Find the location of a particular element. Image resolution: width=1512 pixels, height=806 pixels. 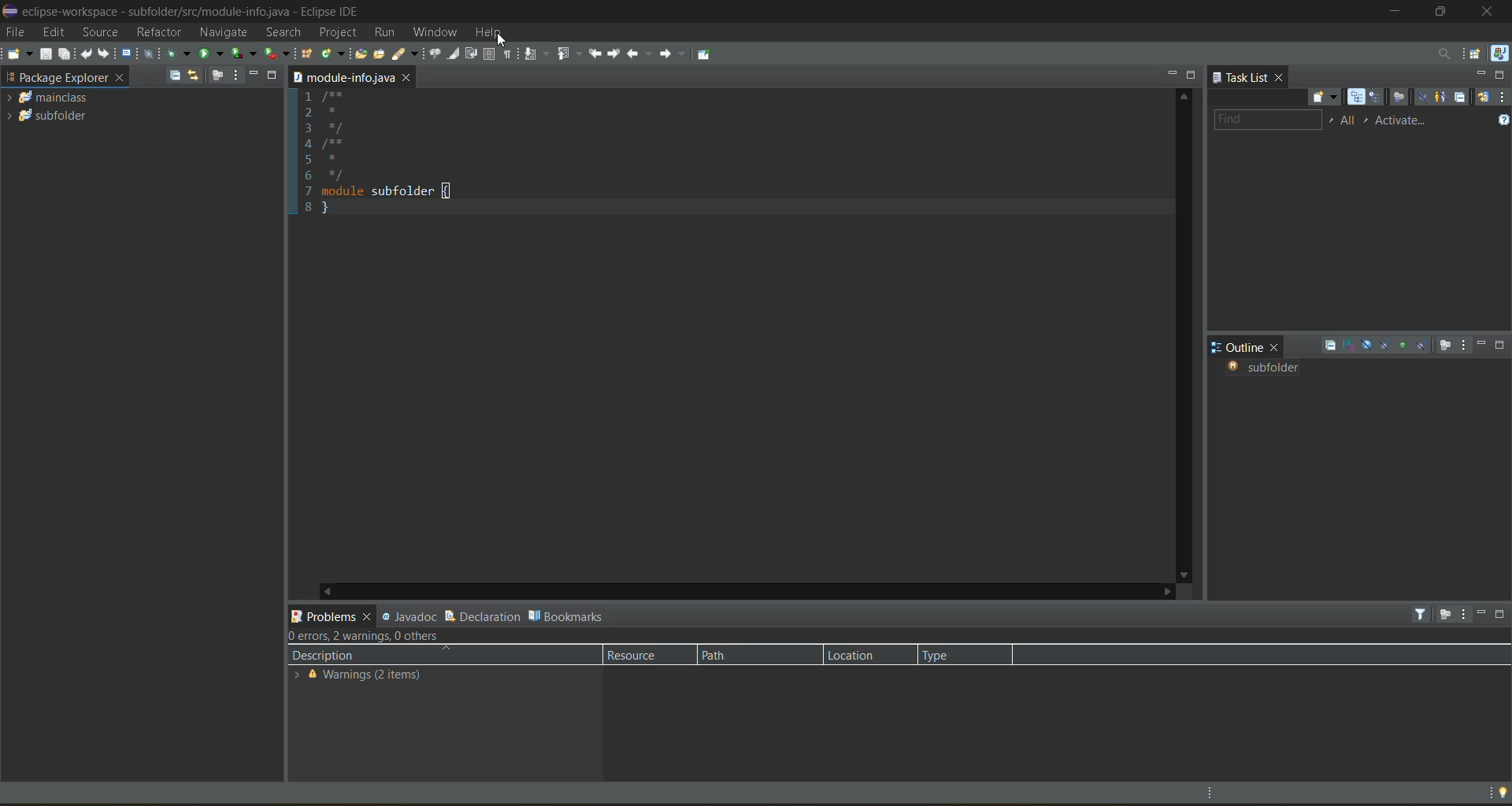

eclipse-workspace - subfolder/src/module-info.java - Eclipse IDE is located at coordinates (223, 12).